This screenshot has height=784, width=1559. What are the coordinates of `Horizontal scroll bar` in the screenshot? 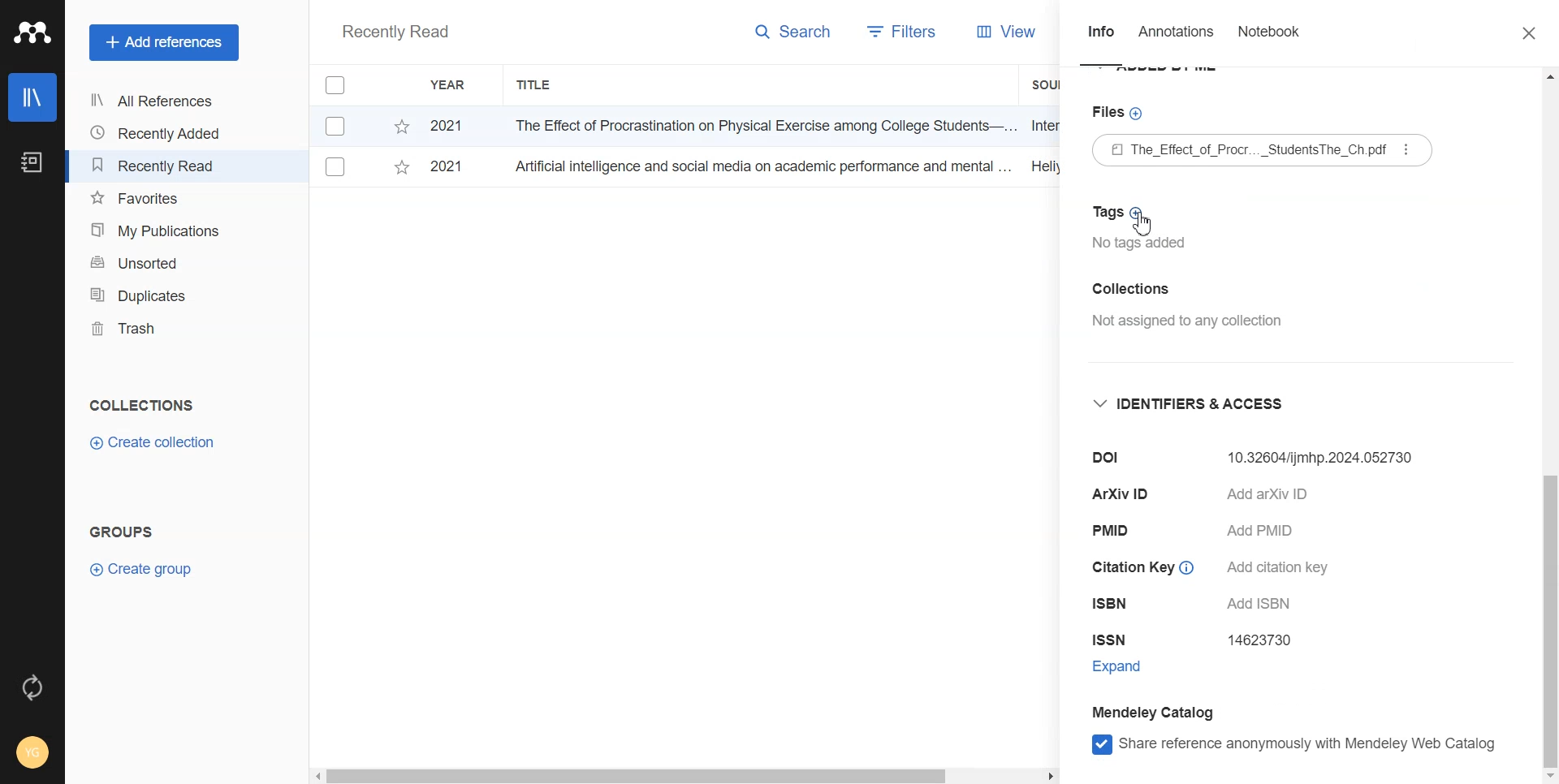 It's located at (684, 774).